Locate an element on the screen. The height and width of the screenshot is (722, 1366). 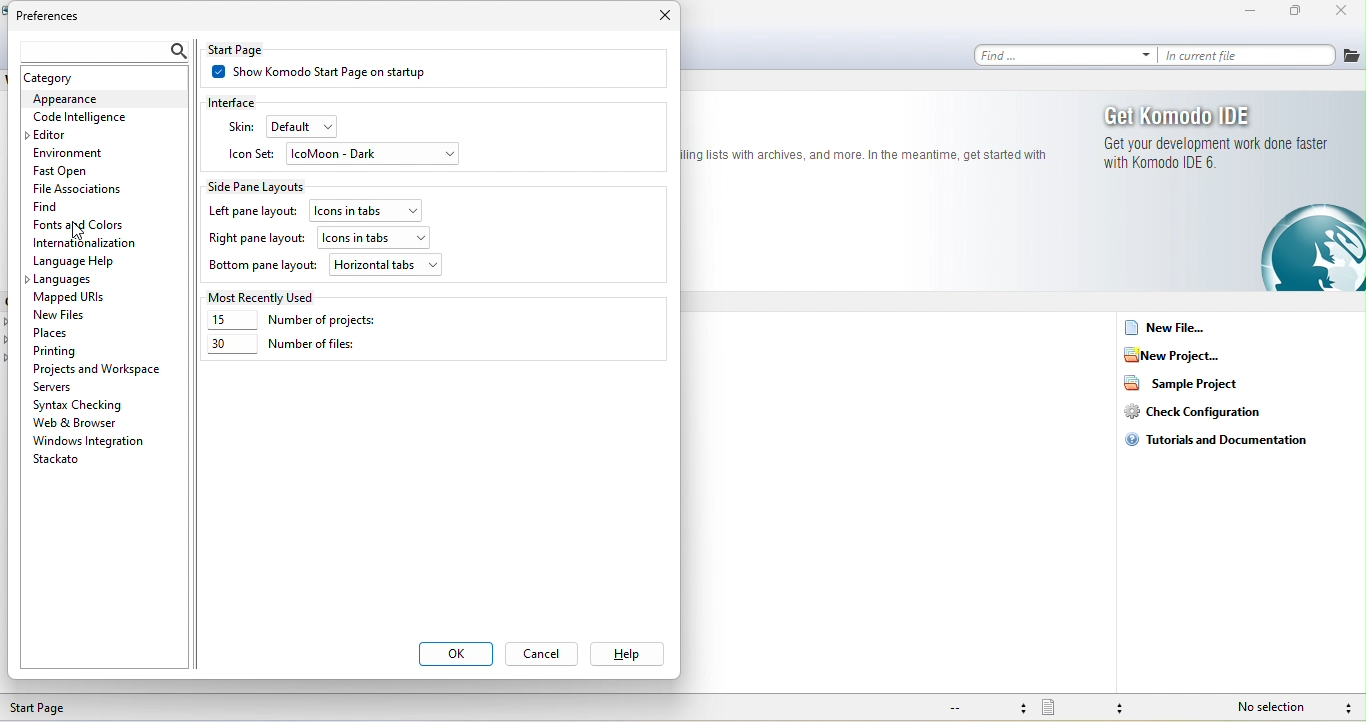
syntax checking is located at coordinates (1346, 707).